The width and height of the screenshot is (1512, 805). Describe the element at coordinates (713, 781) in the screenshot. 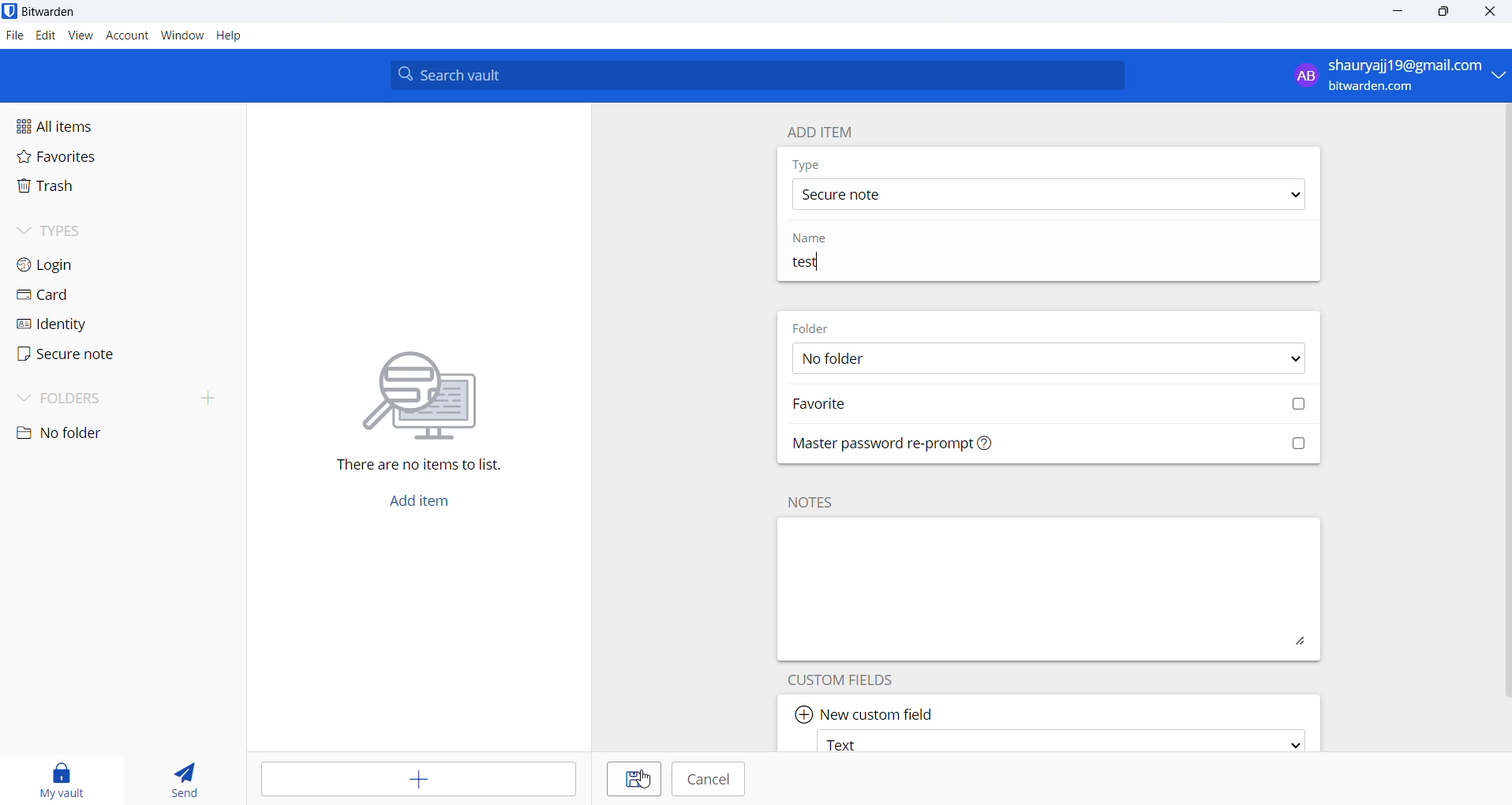

I see `cancel` at that location.